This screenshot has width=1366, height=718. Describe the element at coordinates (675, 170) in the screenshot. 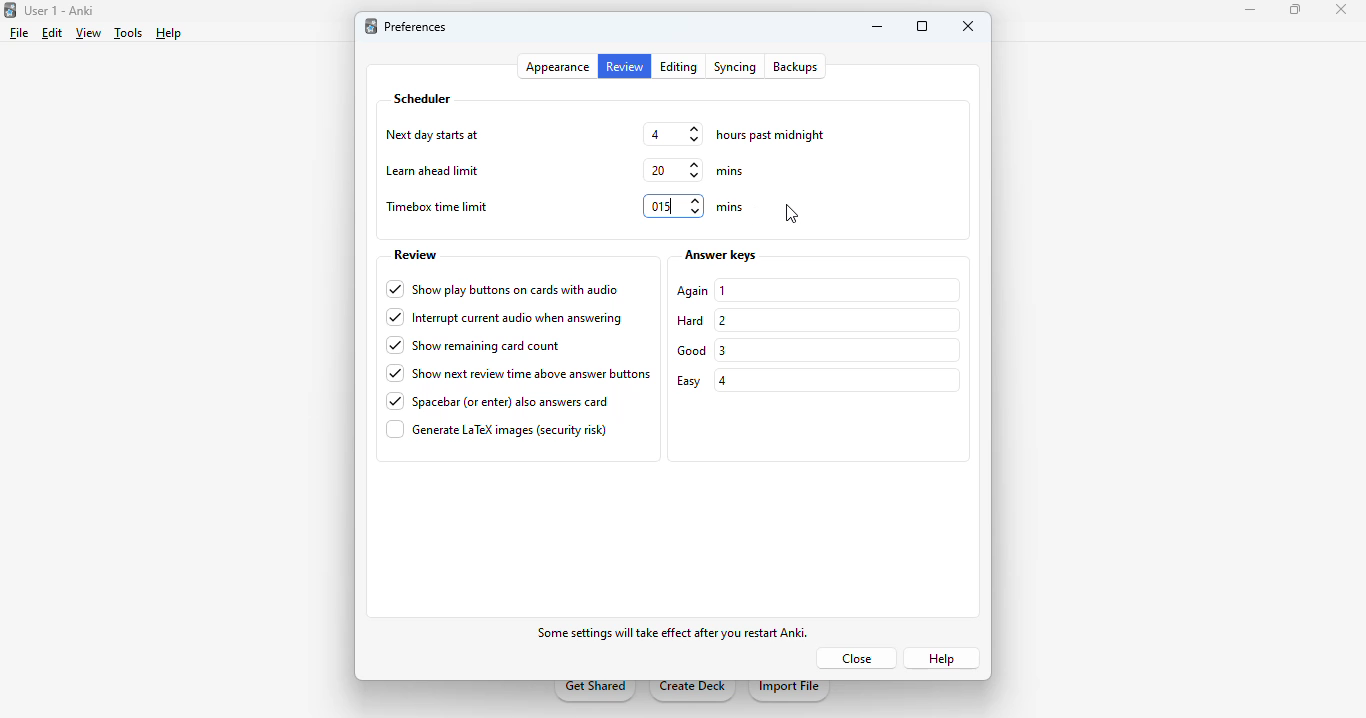

I see `20` at that location.